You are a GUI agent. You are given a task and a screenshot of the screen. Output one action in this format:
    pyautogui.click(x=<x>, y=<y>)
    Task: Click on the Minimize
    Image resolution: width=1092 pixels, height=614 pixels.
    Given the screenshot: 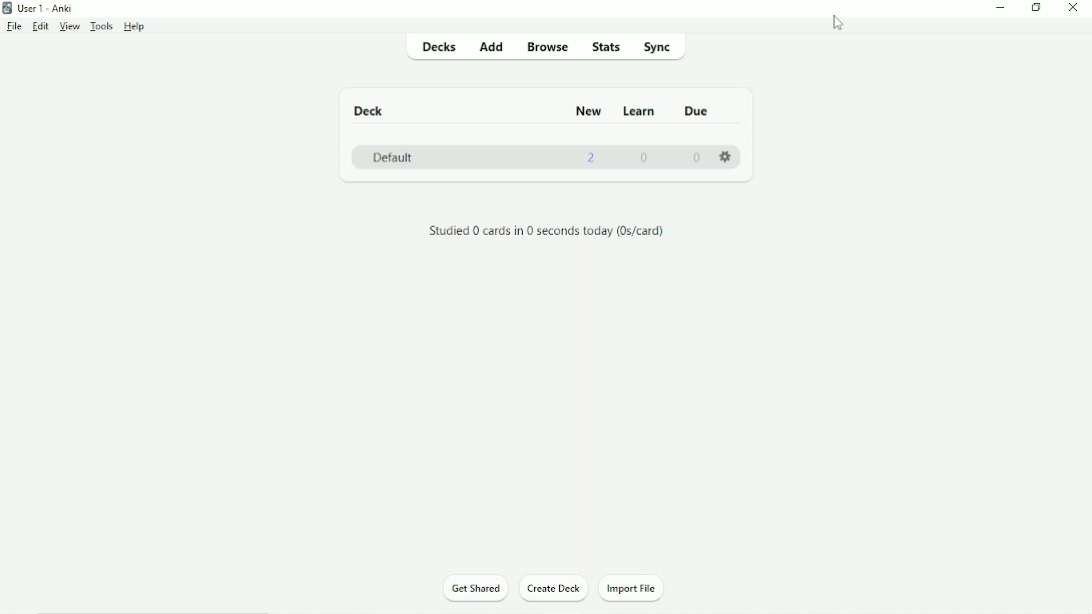 What is the action you would take?
    pyautogui.click(x=1002, y=8)
    